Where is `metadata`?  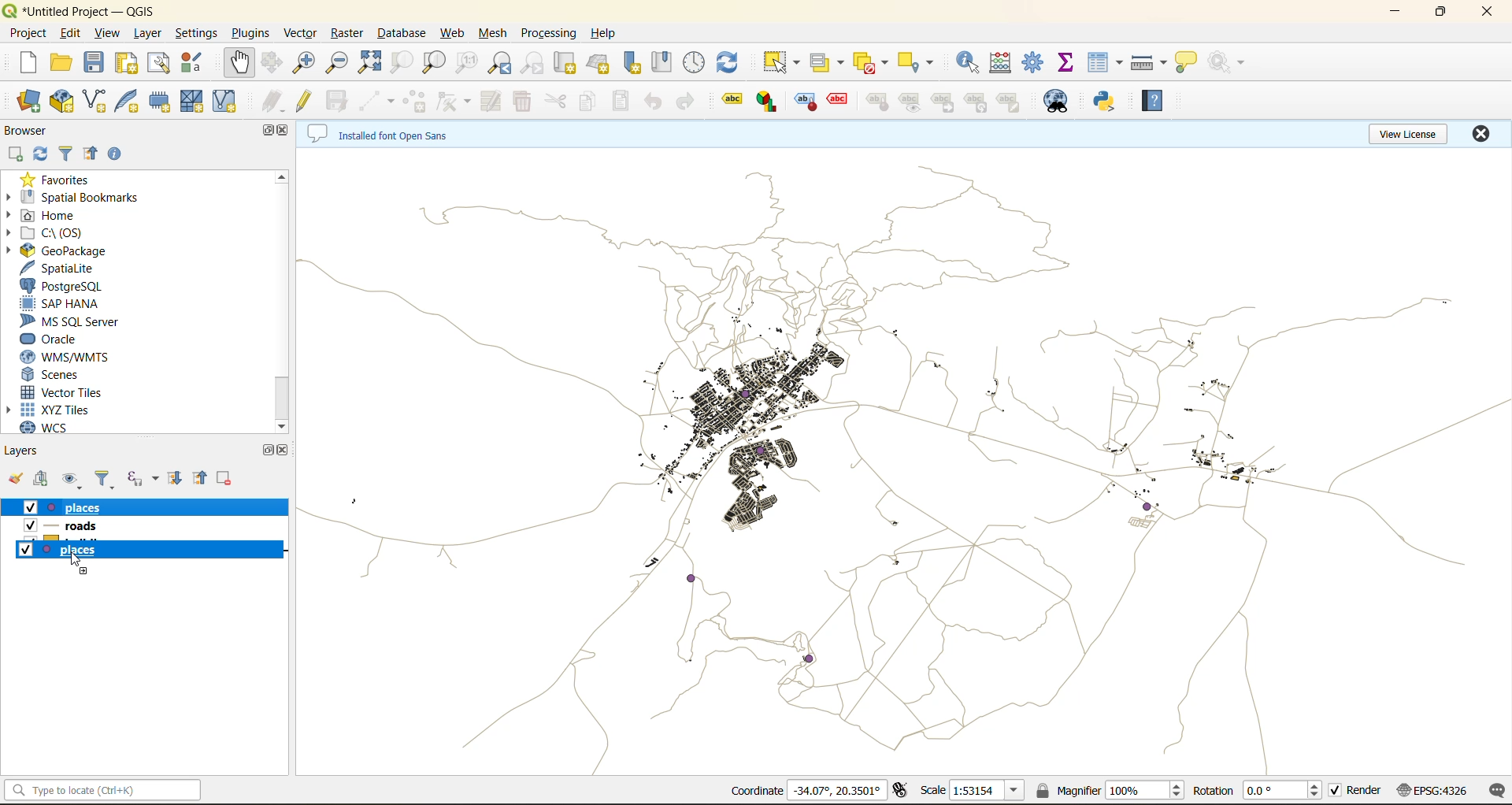
metadata is located at coordinates (393, 132).